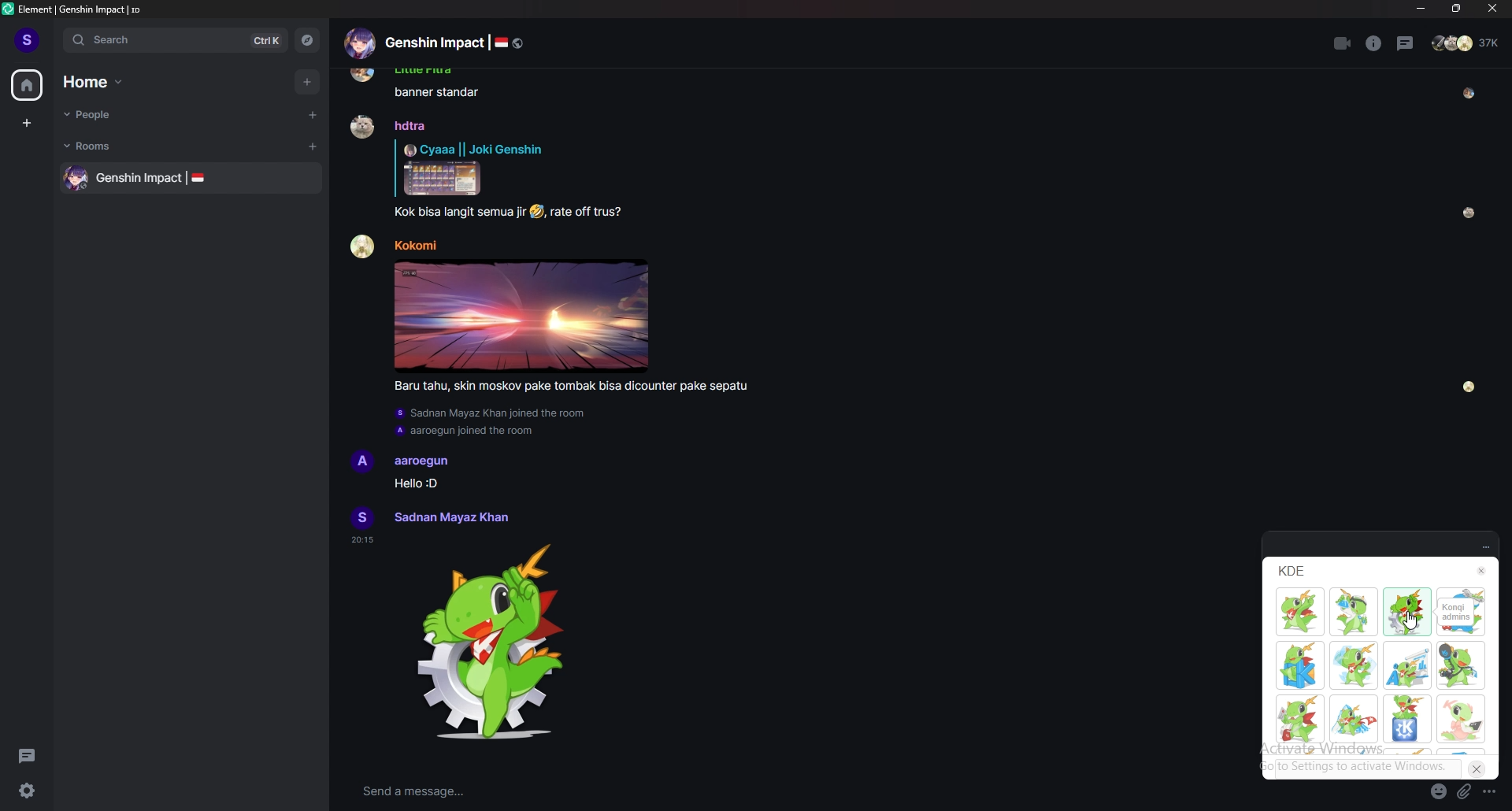 This screenshot has height=811, width=1512. I want to click on video call, so click(1343, 43).